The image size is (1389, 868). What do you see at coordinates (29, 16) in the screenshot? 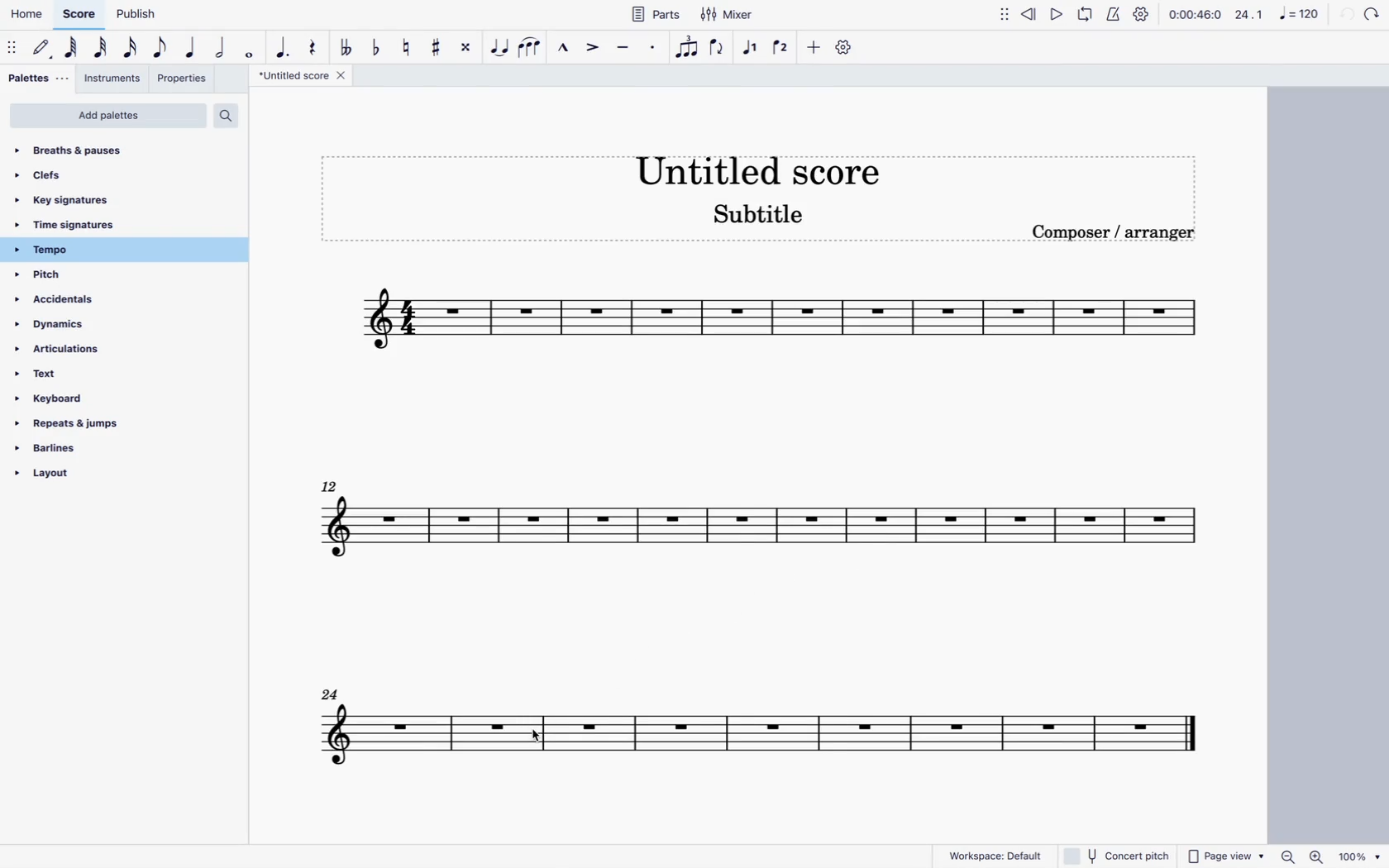
I see `home` at bounding box center [29, 16].